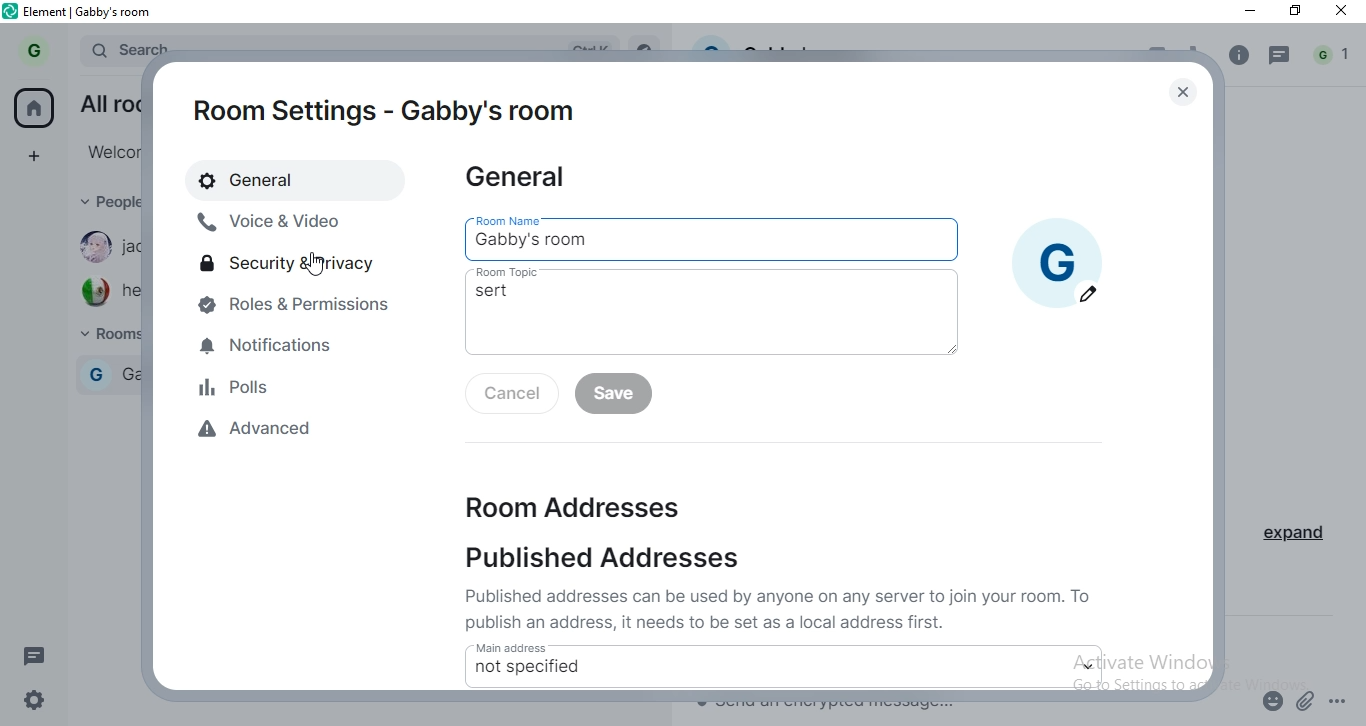  I want to click on voive & video, so click(305, 224).